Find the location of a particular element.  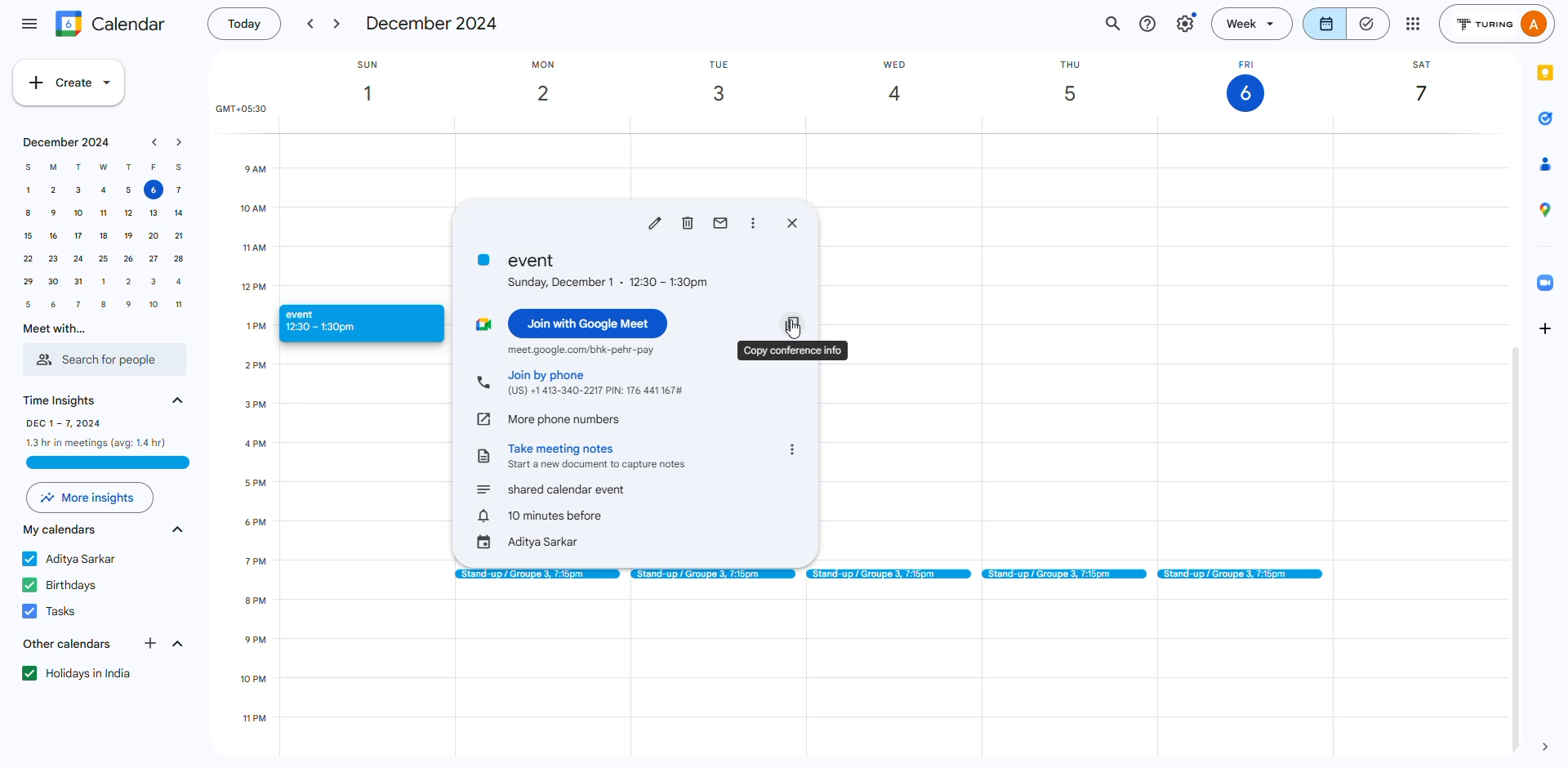

meet is located at coordinates (581, 350).